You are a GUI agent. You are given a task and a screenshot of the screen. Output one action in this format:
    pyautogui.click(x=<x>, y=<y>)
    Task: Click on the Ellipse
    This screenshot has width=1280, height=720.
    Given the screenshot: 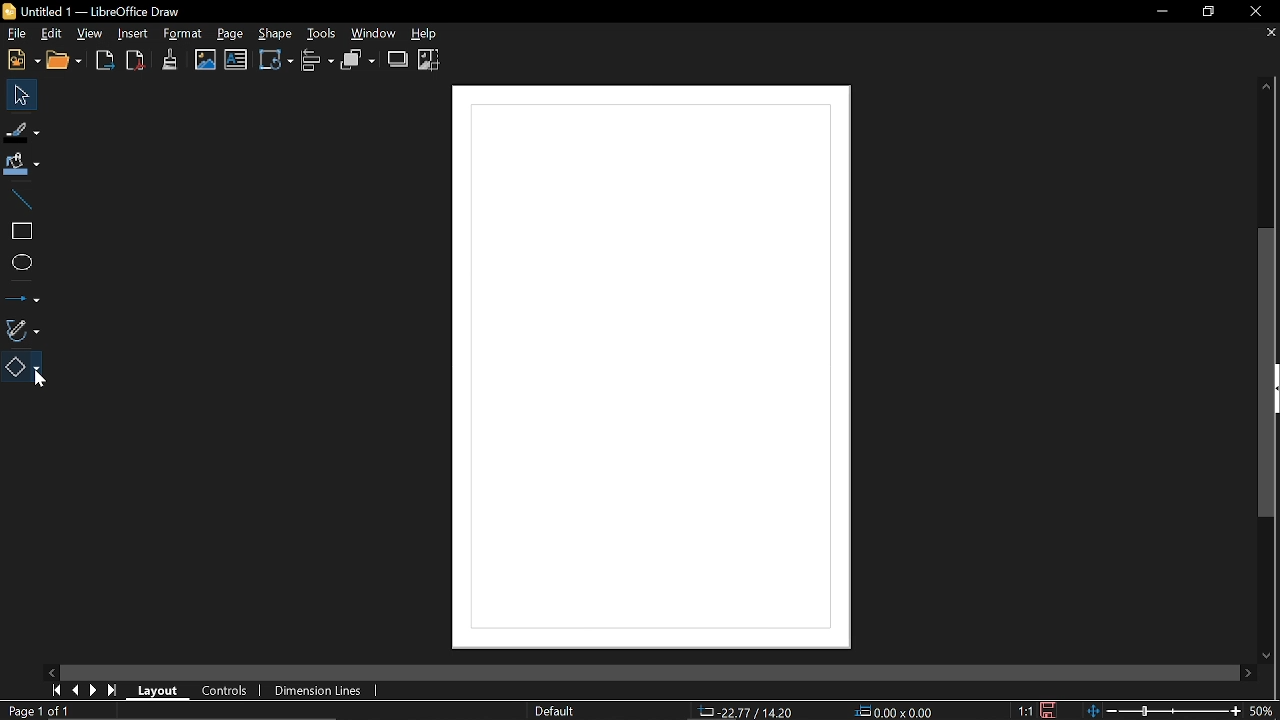 What is the action you would take?
    pyautogui.click(x=20, y=263)
    